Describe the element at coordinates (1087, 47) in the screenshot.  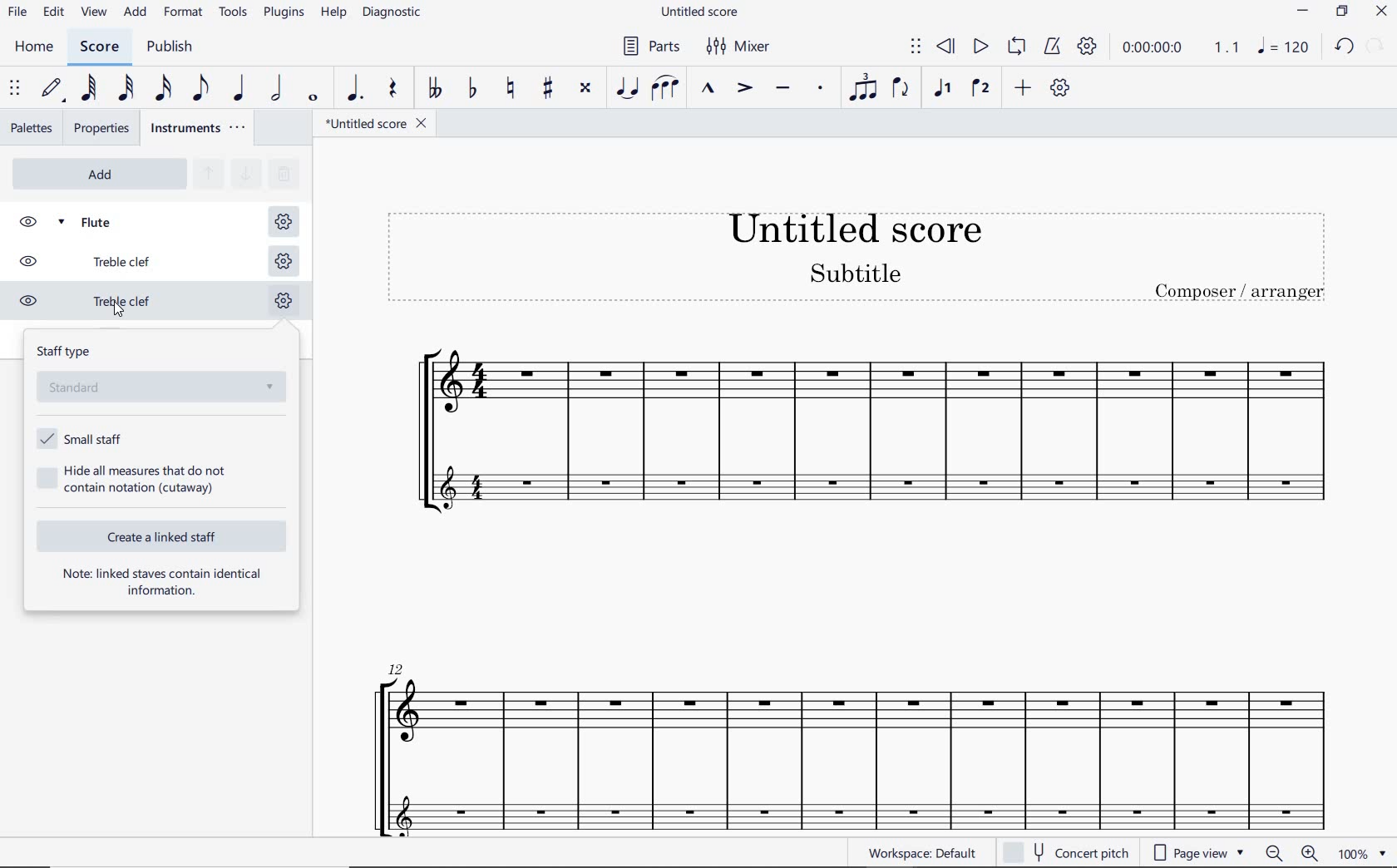
I see `PLAYBACK SETTINGS` at that location.